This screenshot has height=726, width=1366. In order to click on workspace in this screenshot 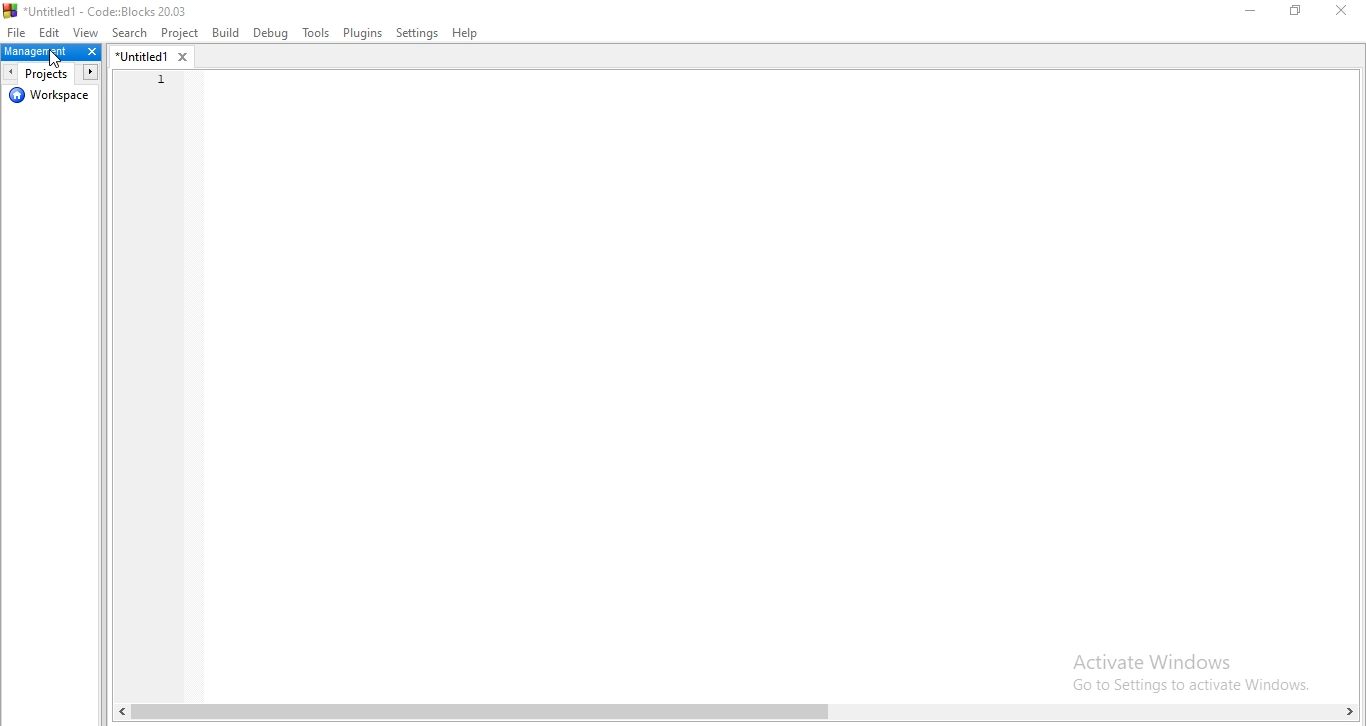, I will do `click(52, 99)`.